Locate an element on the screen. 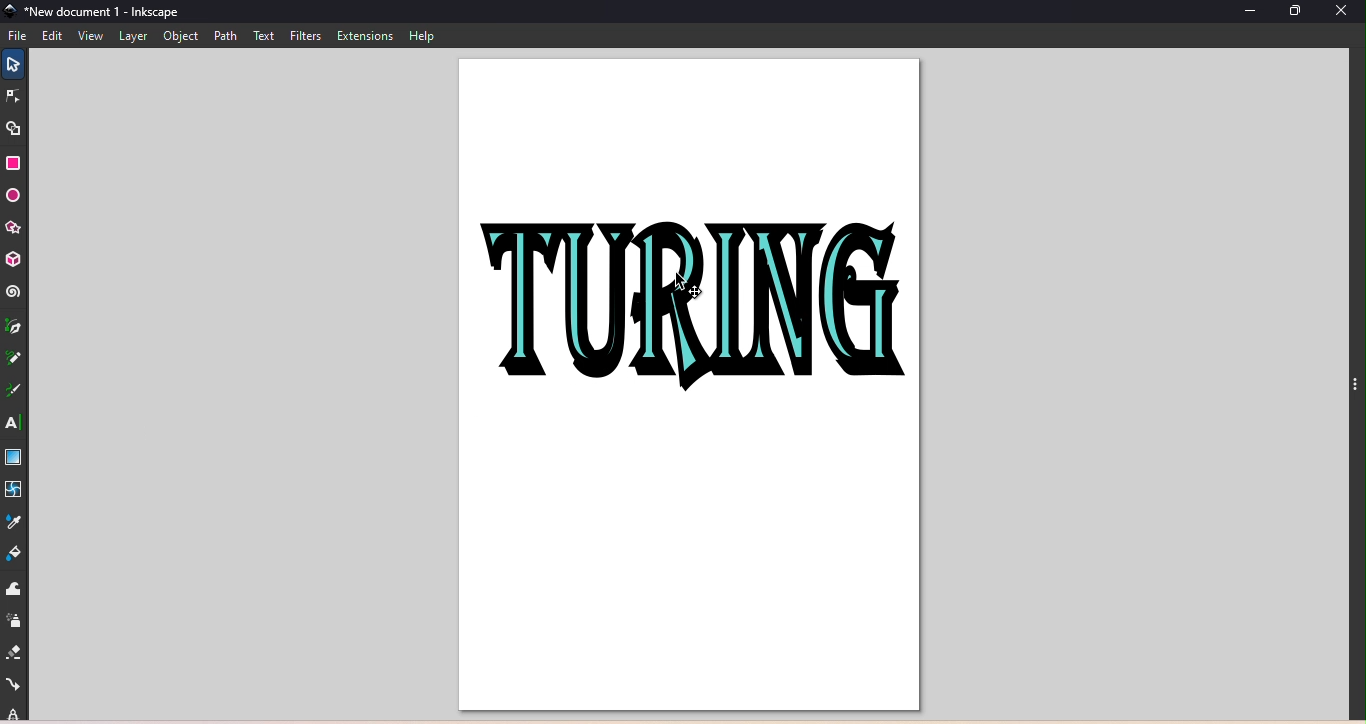  Calligraphy tool is located at coordinates (17, 392).